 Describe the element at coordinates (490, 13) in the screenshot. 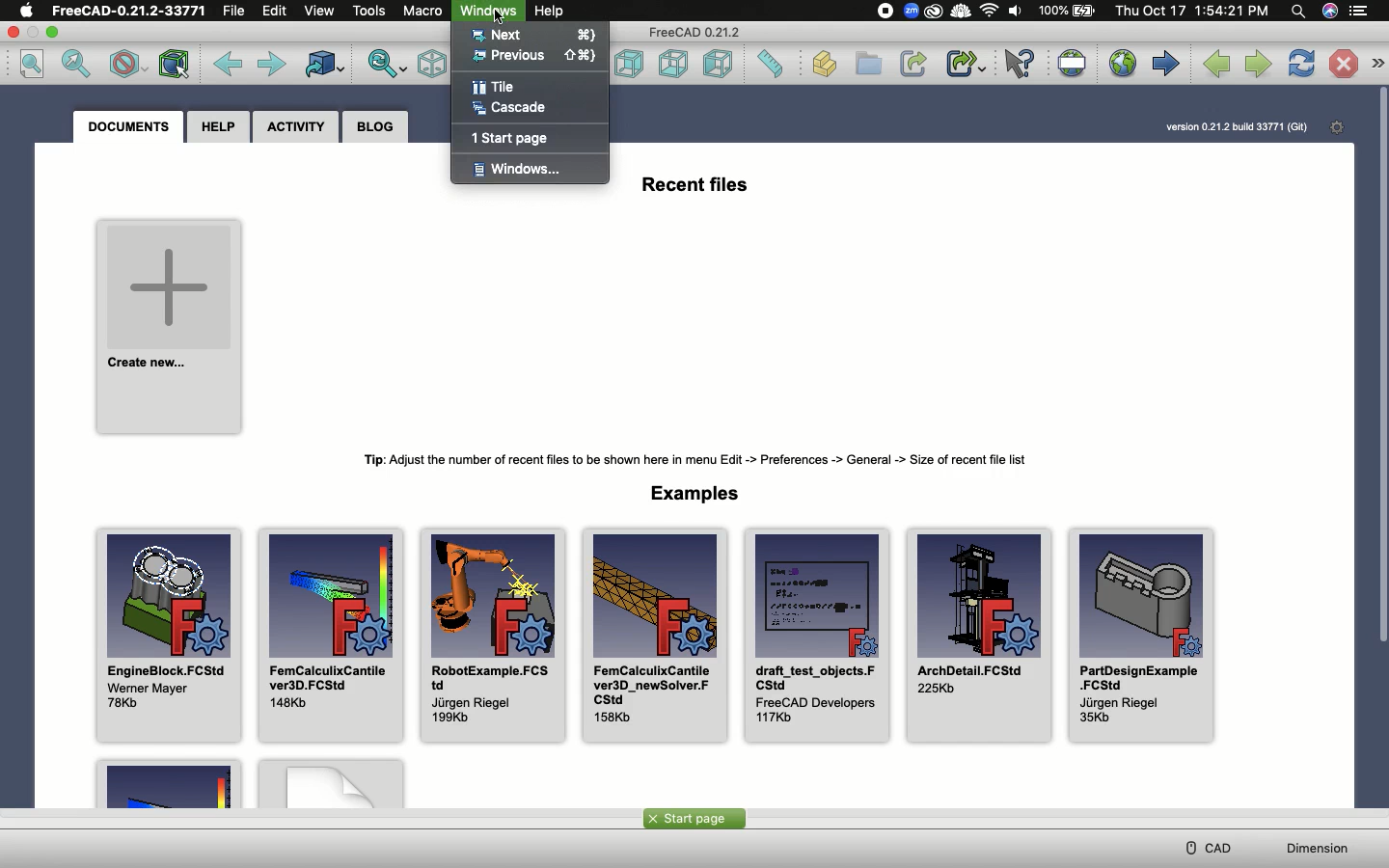

I see `Clicked on Windows` at that location.